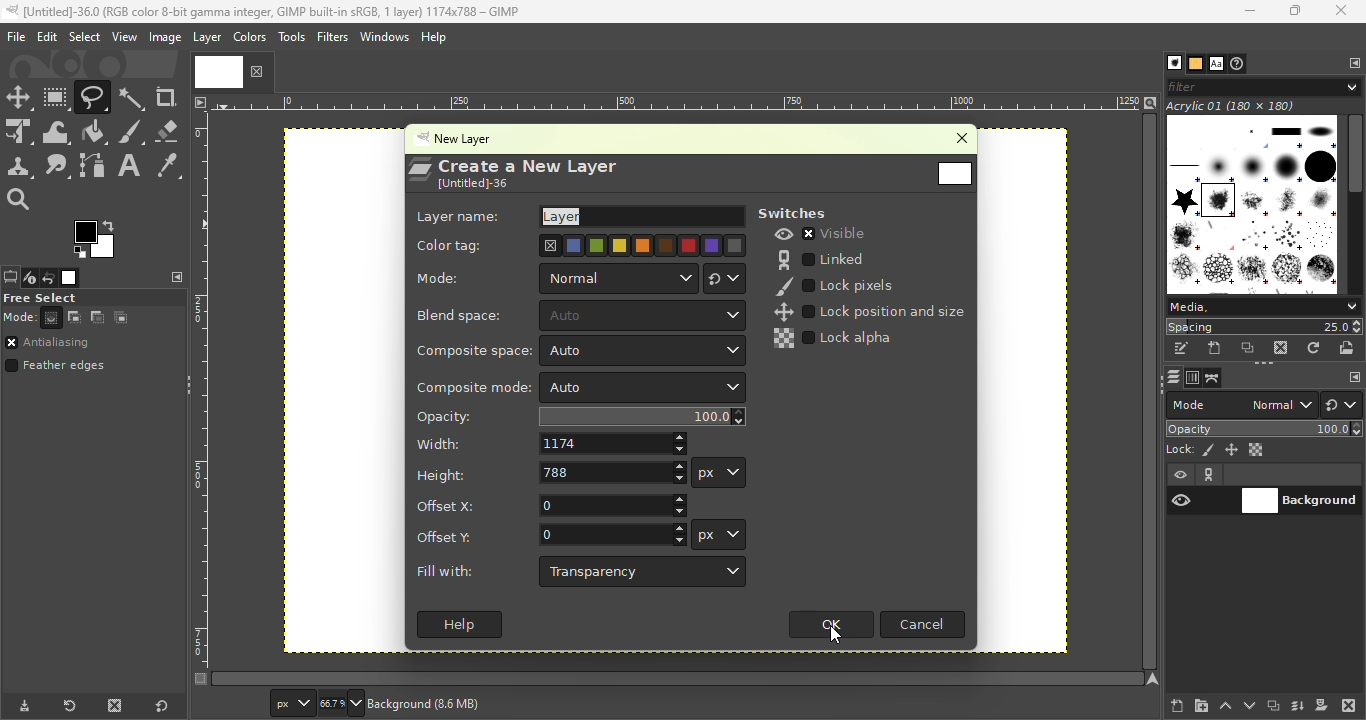 The width and height of the screenshot is (1366, 720). What do you see at coordinates (1344, 12) in the screenshot?
I see `Close` at bounding box center [1344, 12].